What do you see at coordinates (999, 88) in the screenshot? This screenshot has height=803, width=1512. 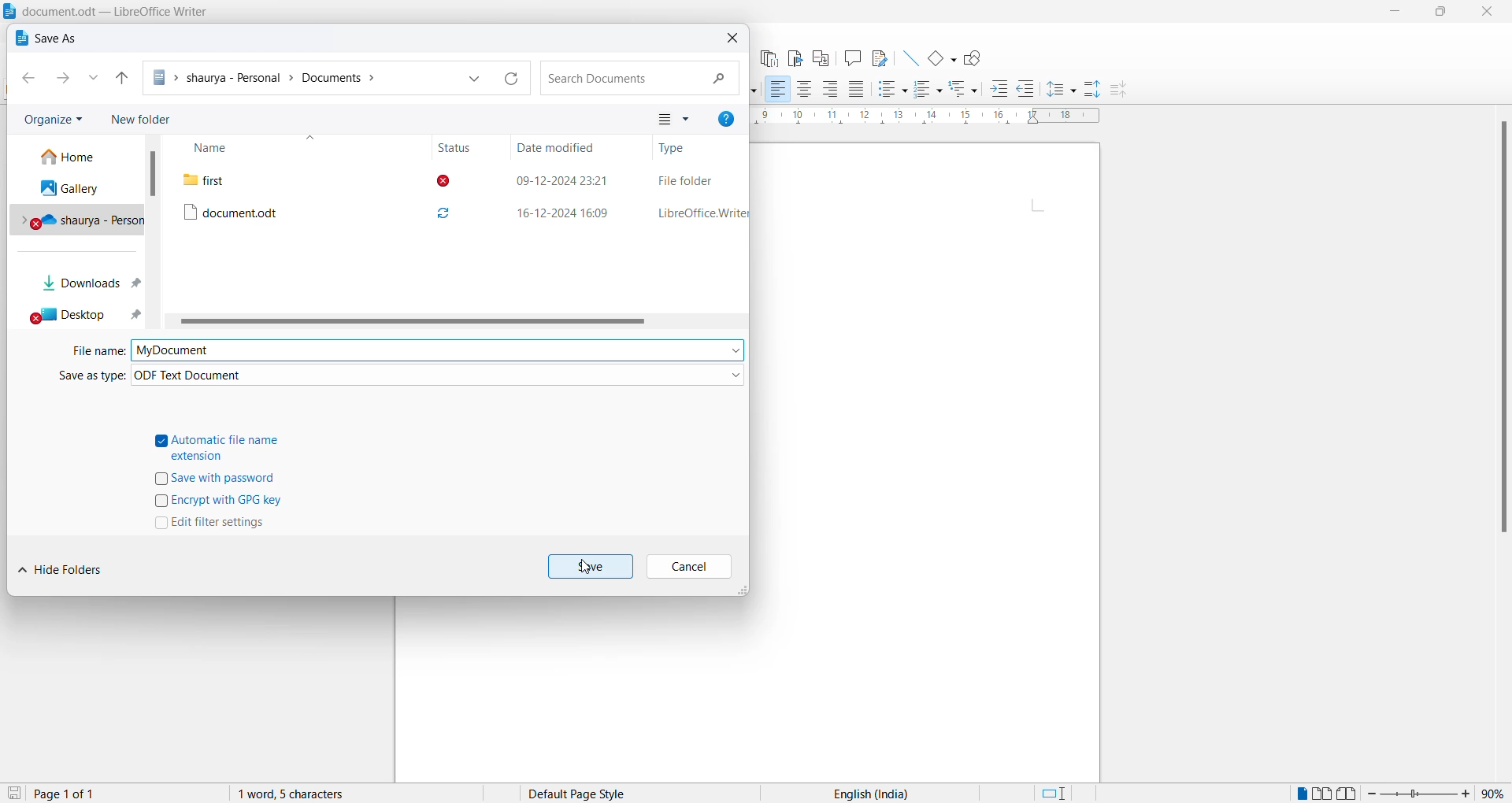 I see `Increase indent` at bounding box center [999, 88].